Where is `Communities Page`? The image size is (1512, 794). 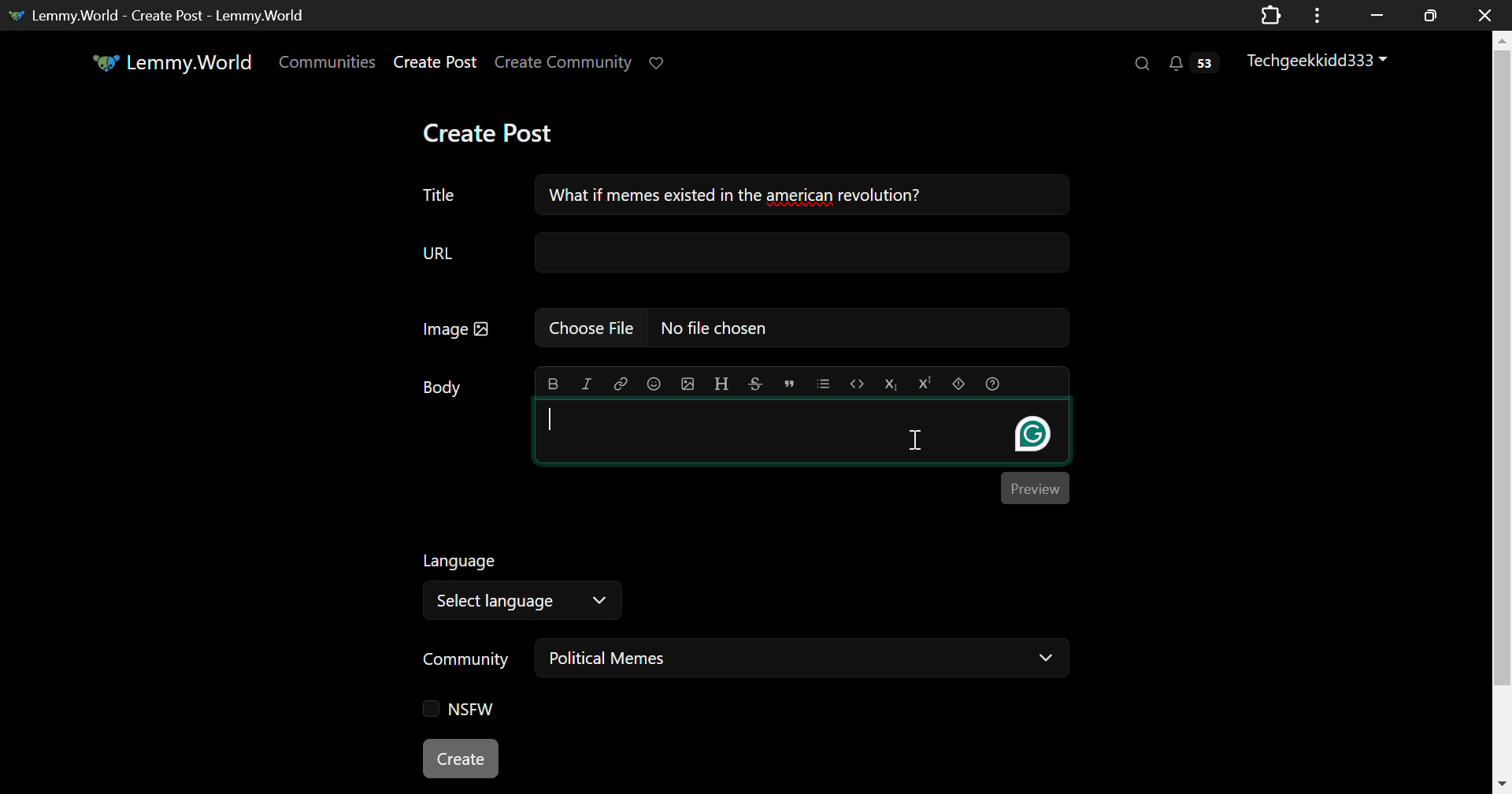
Communities Page is located at coordinates (326, 61).